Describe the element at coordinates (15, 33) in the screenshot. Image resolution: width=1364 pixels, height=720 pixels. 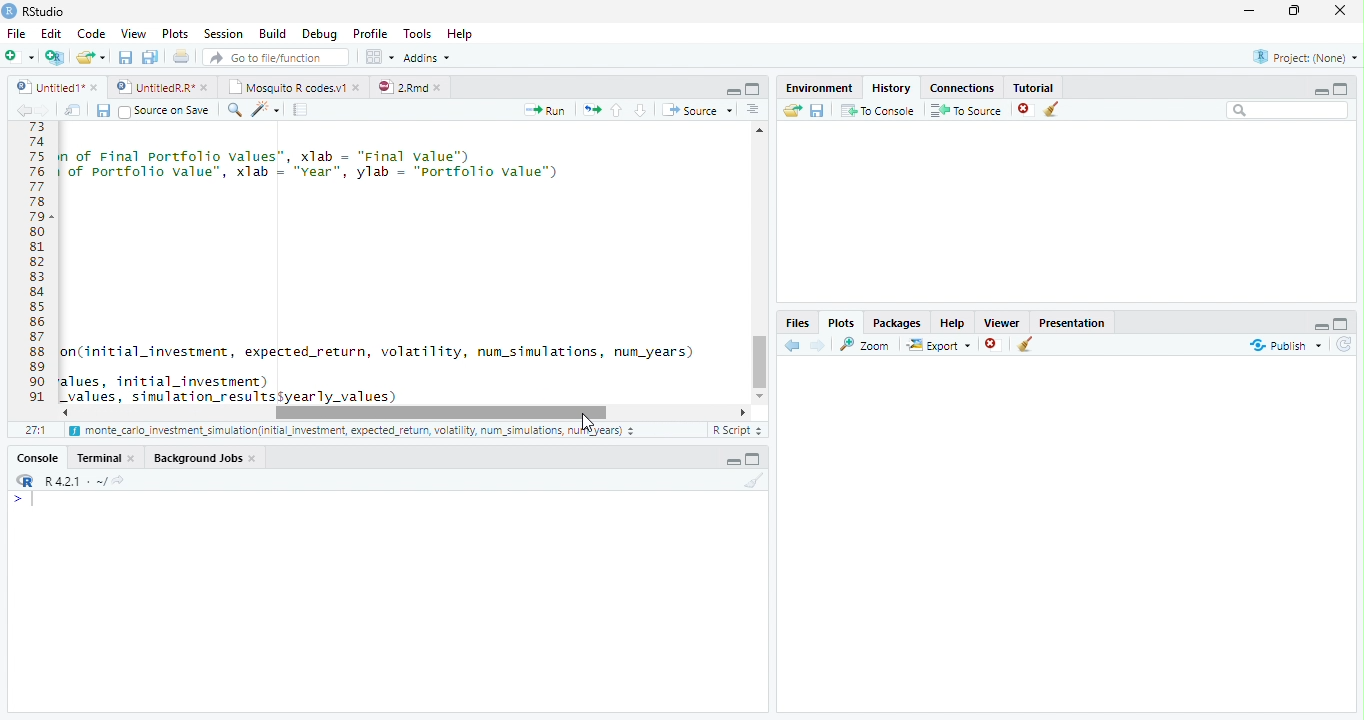
I see `File` at that location.